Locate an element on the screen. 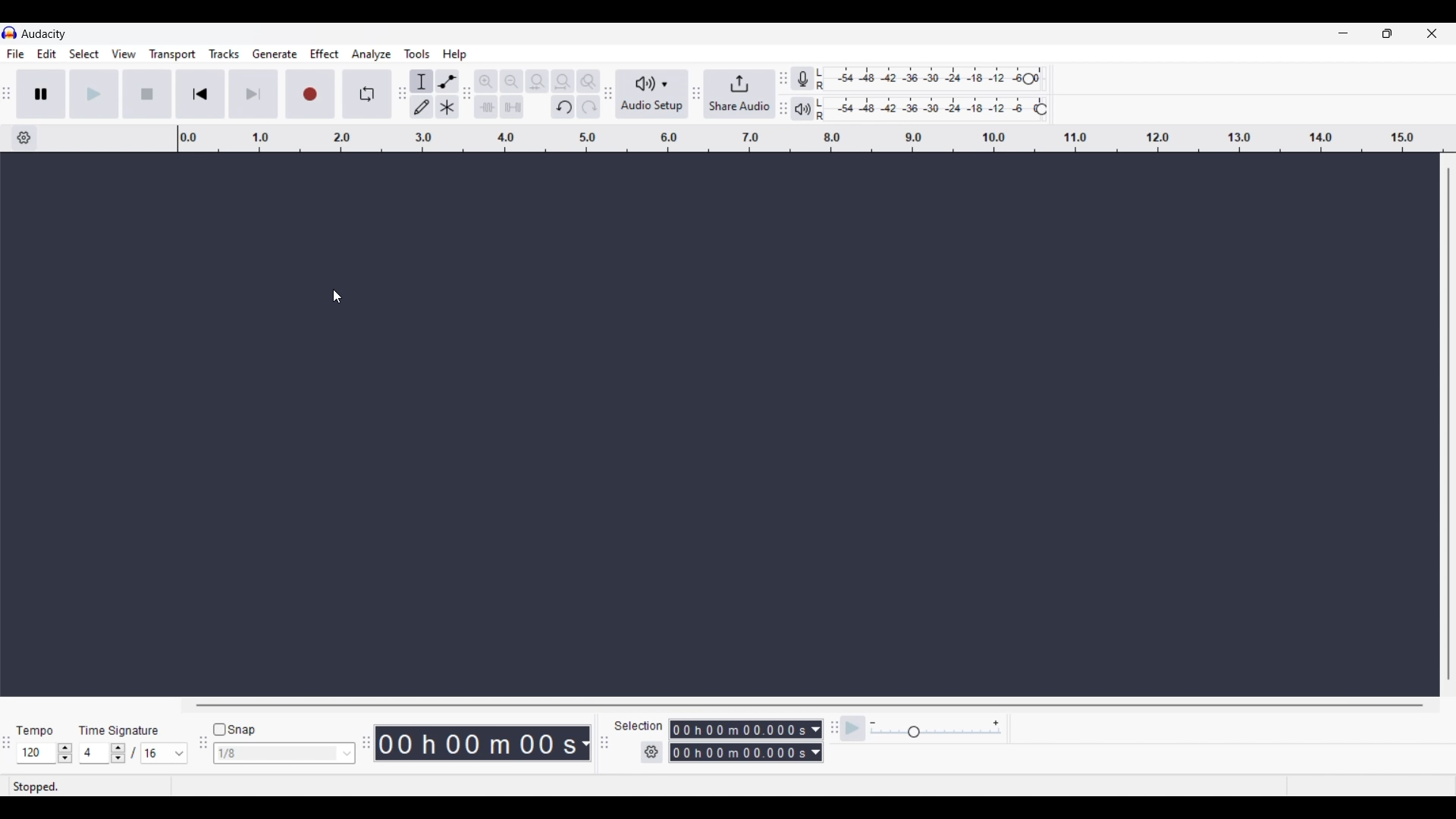 This screenshot has height=819, width=1456. Time Signature is located at coordinates (121, 730).